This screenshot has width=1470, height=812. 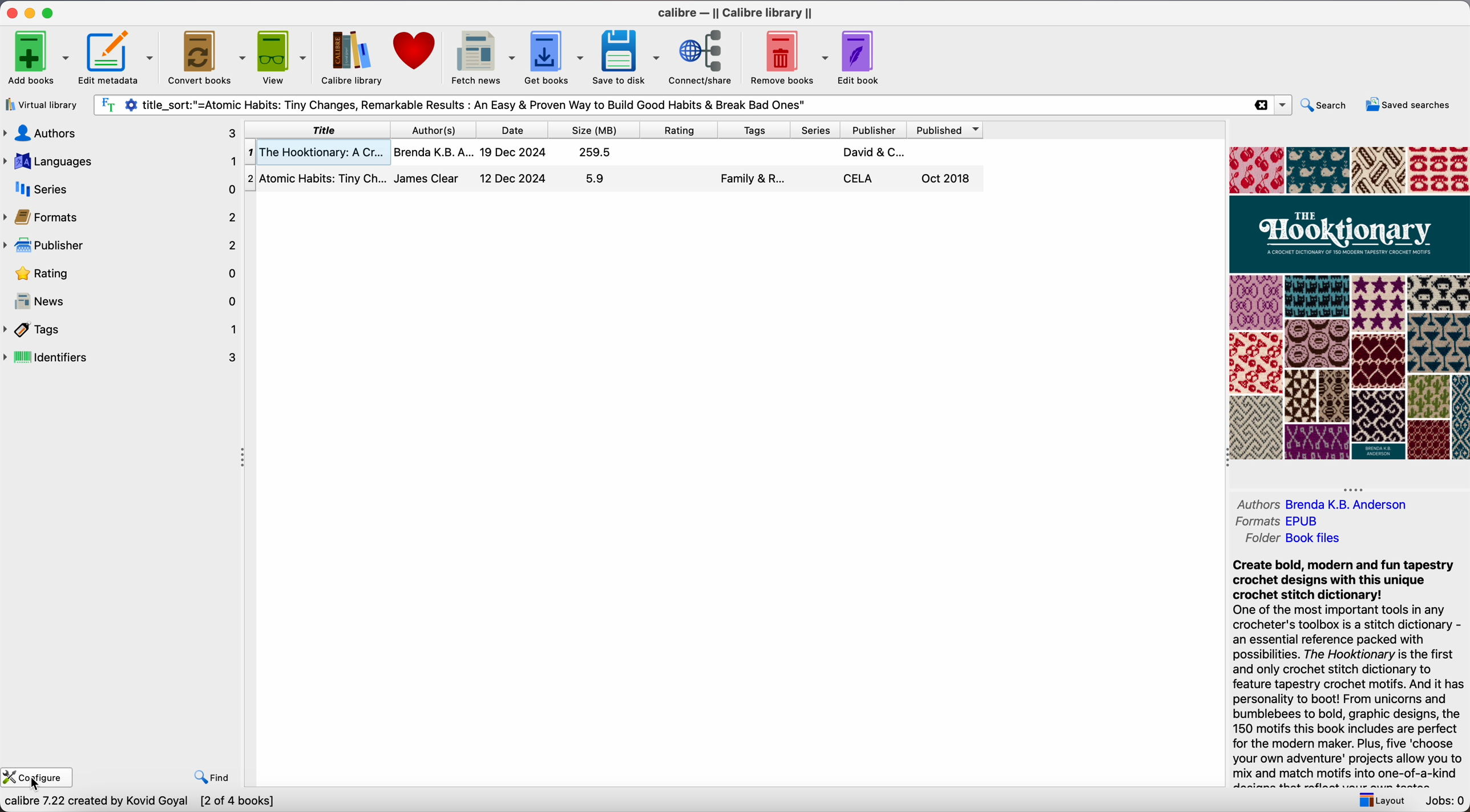 What do you see at coordinates (123, 331) in the screenshot?
I see `tags` at bounding box center [123, 331].